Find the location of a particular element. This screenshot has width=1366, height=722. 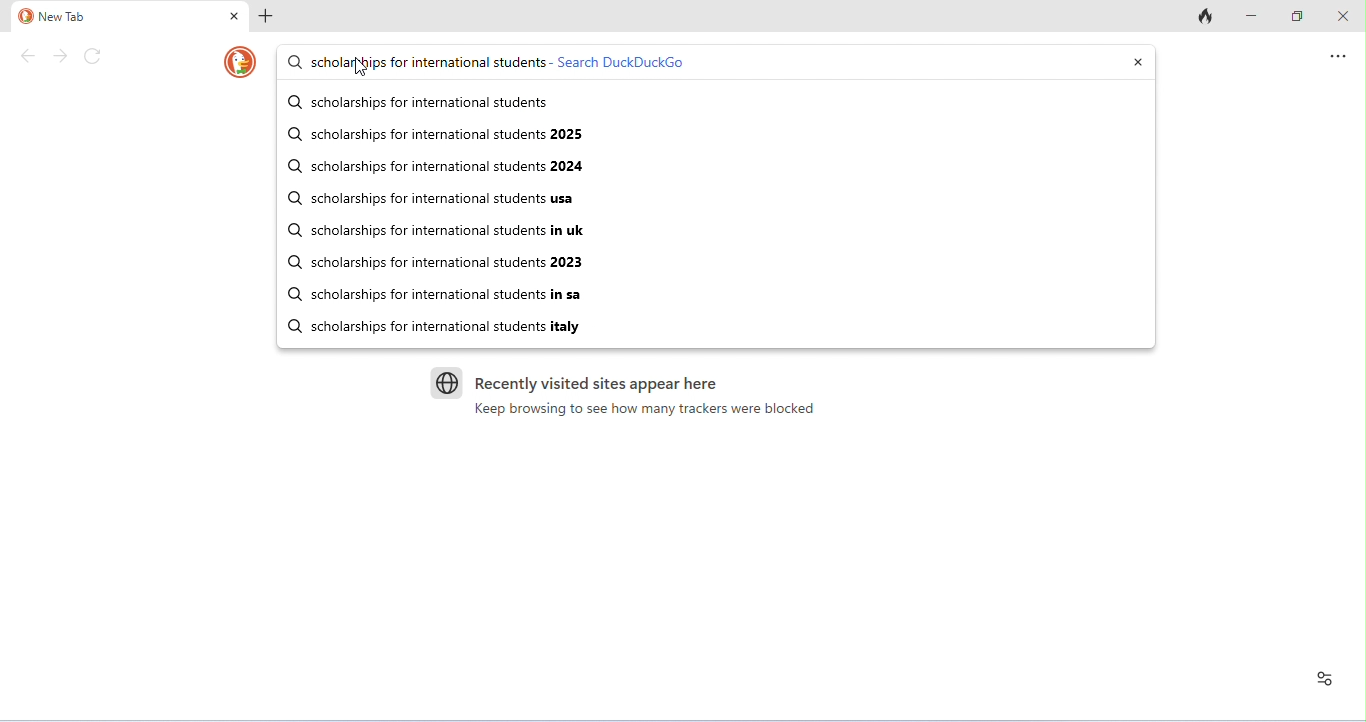

scholarships for international students is located at coordinates (435, 104).